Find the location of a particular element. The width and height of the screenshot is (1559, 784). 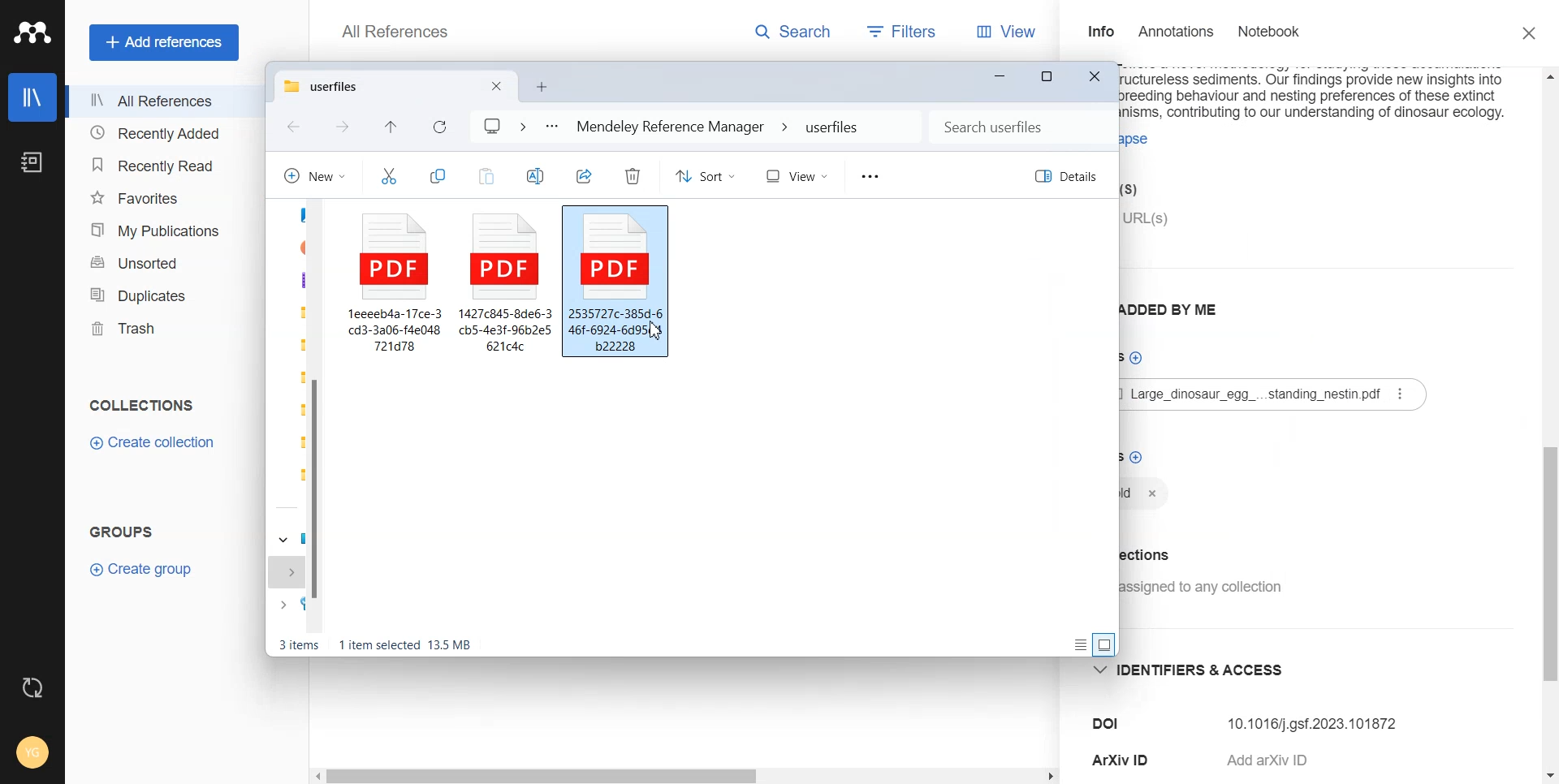

Collections is located at coordinates (141, 406).